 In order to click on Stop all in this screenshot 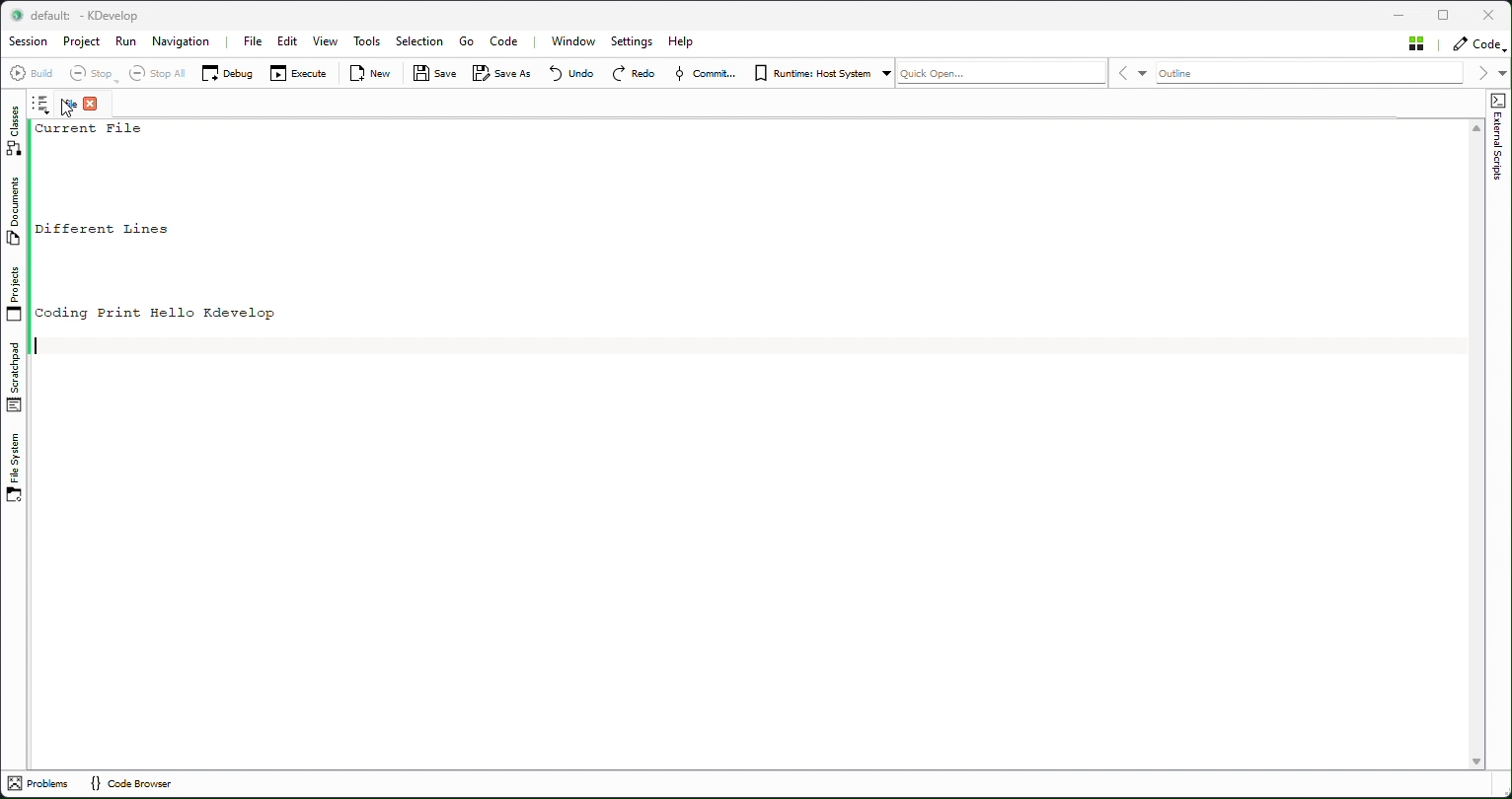, I will do `click(159, 74)`.